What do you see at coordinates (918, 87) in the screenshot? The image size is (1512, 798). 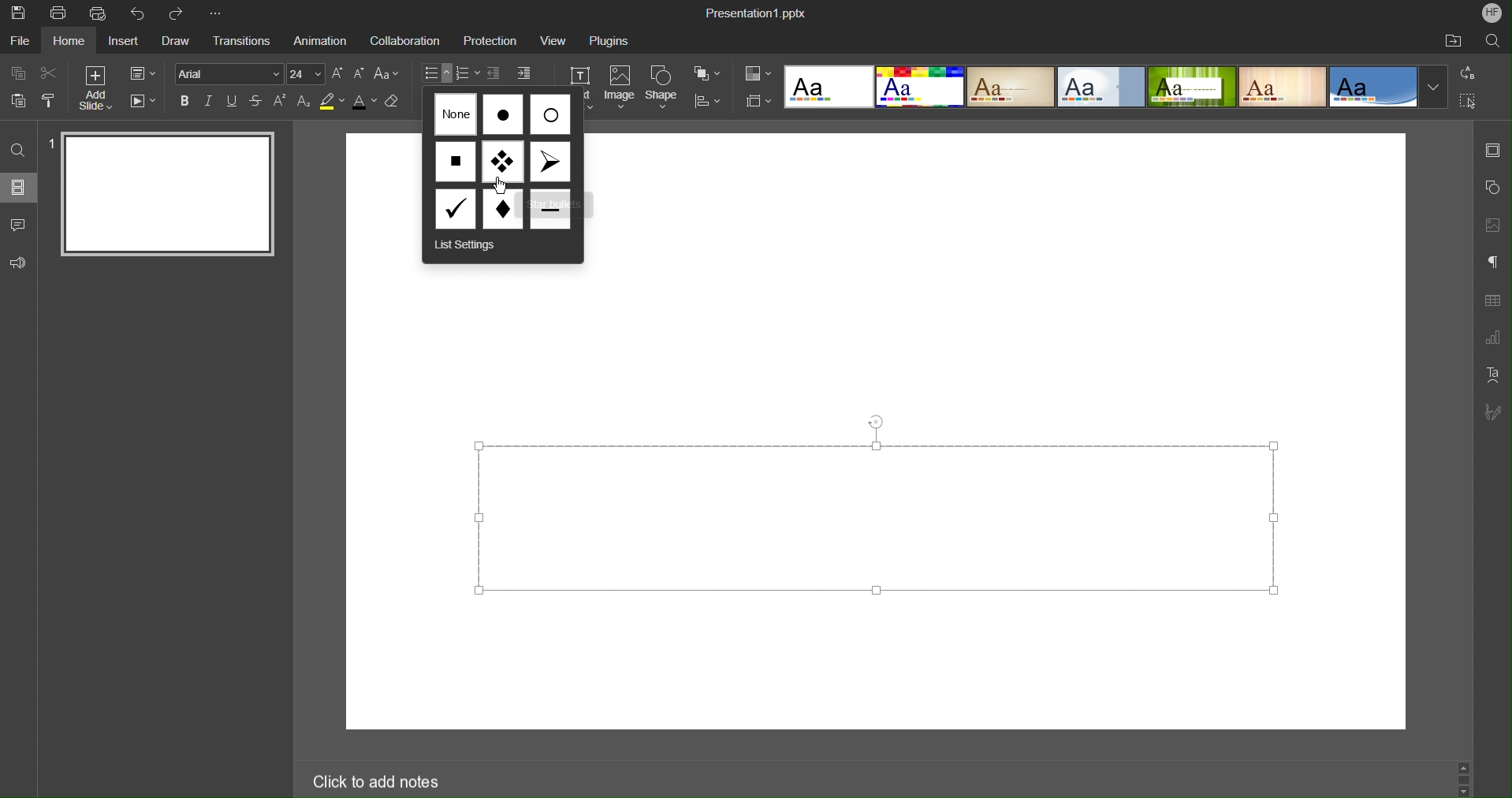 I see `template` at bounding box center [918, 87].